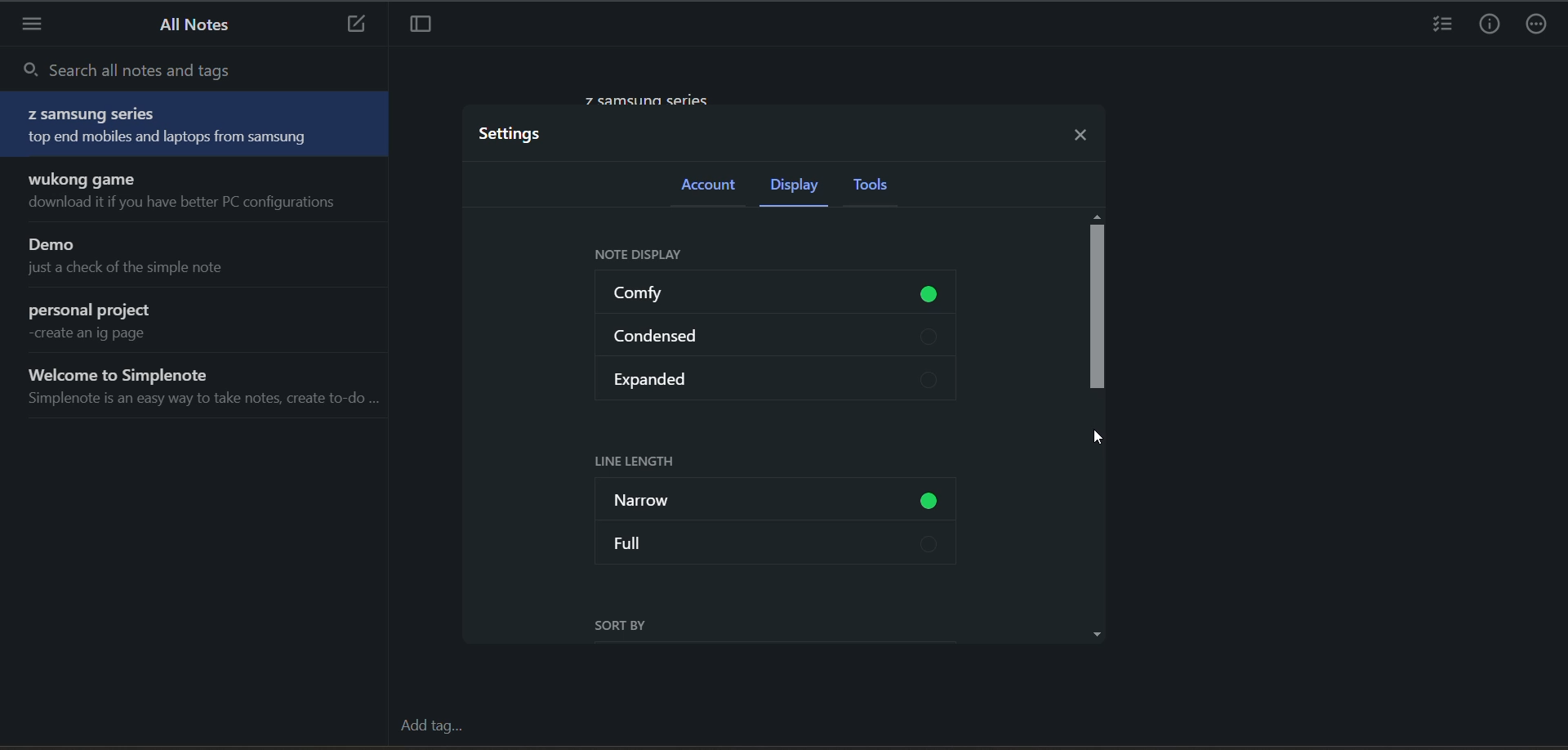 Image resolution: width=1568 pixels, height=750 pixels. Describe the element at coordinates (431, 726) in the screenshot. I see `add tag...` at that location.